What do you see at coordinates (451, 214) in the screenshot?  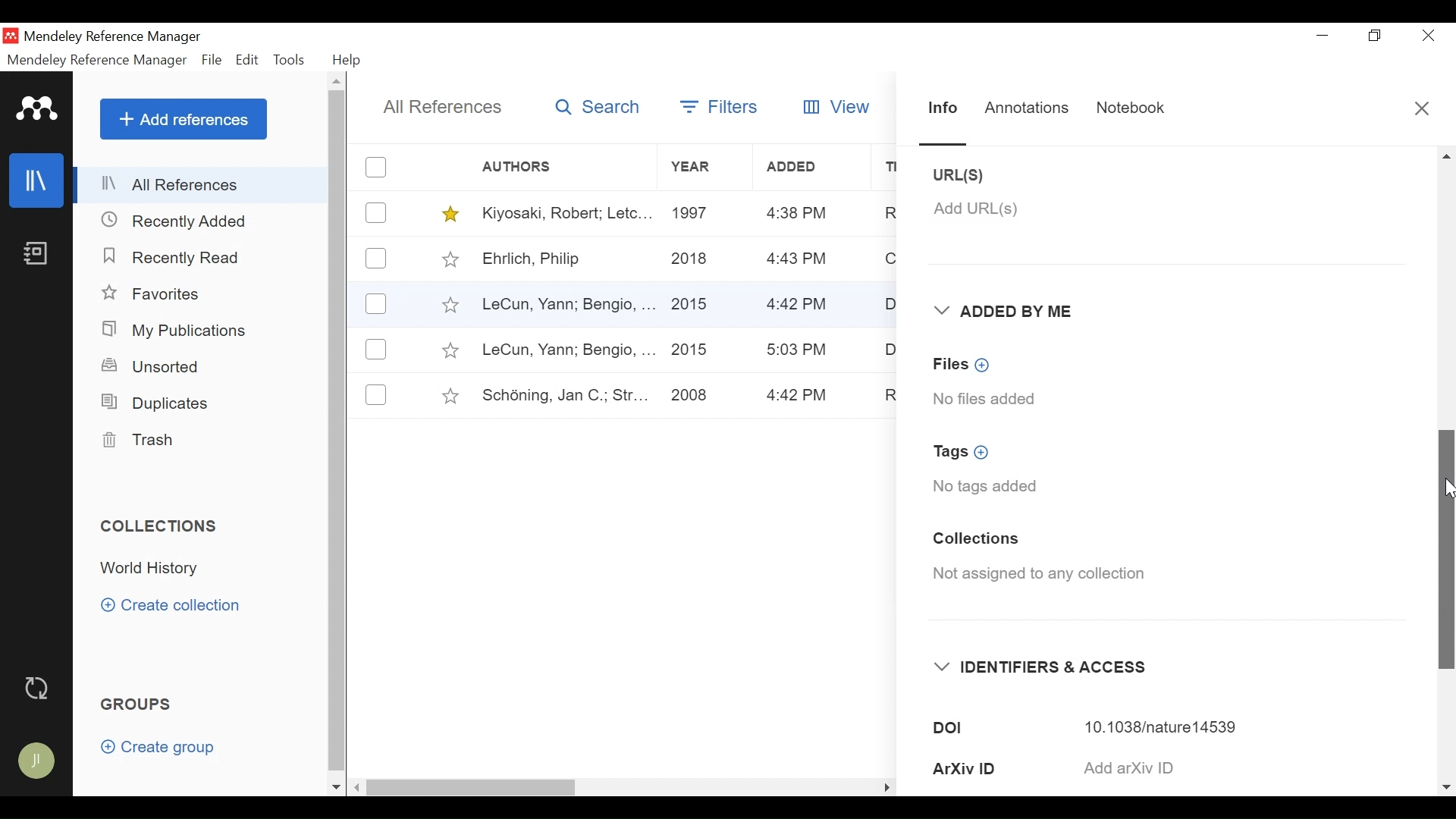 I see `Toggle Favorites` at bounding box center [451, 214].